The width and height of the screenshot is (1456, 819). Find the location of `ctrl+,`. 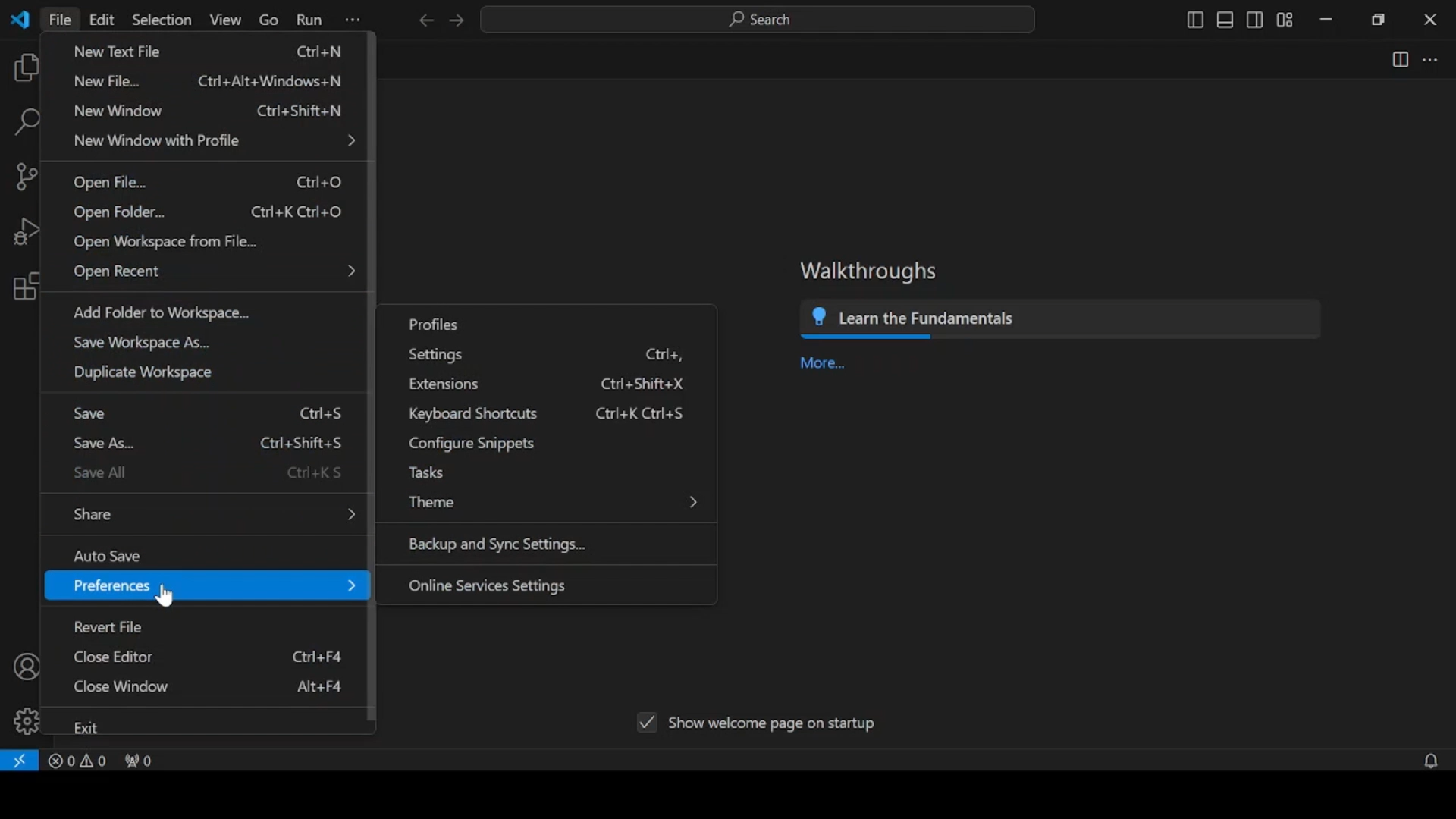

ctrl+, is located at coordinates (666, 353).